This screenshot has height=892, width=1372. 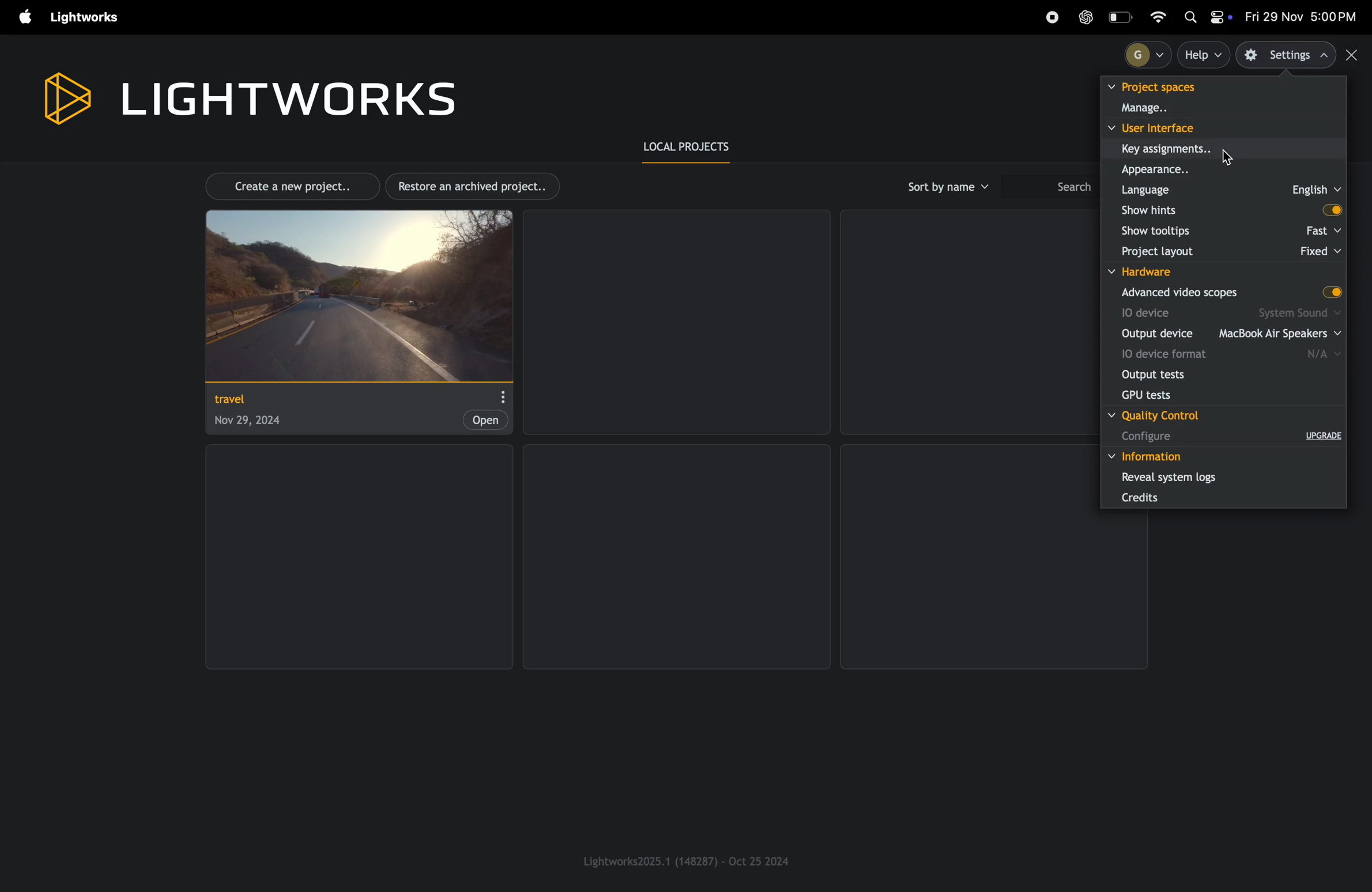 I want to click on apperance, so click(x=1163, y=171).